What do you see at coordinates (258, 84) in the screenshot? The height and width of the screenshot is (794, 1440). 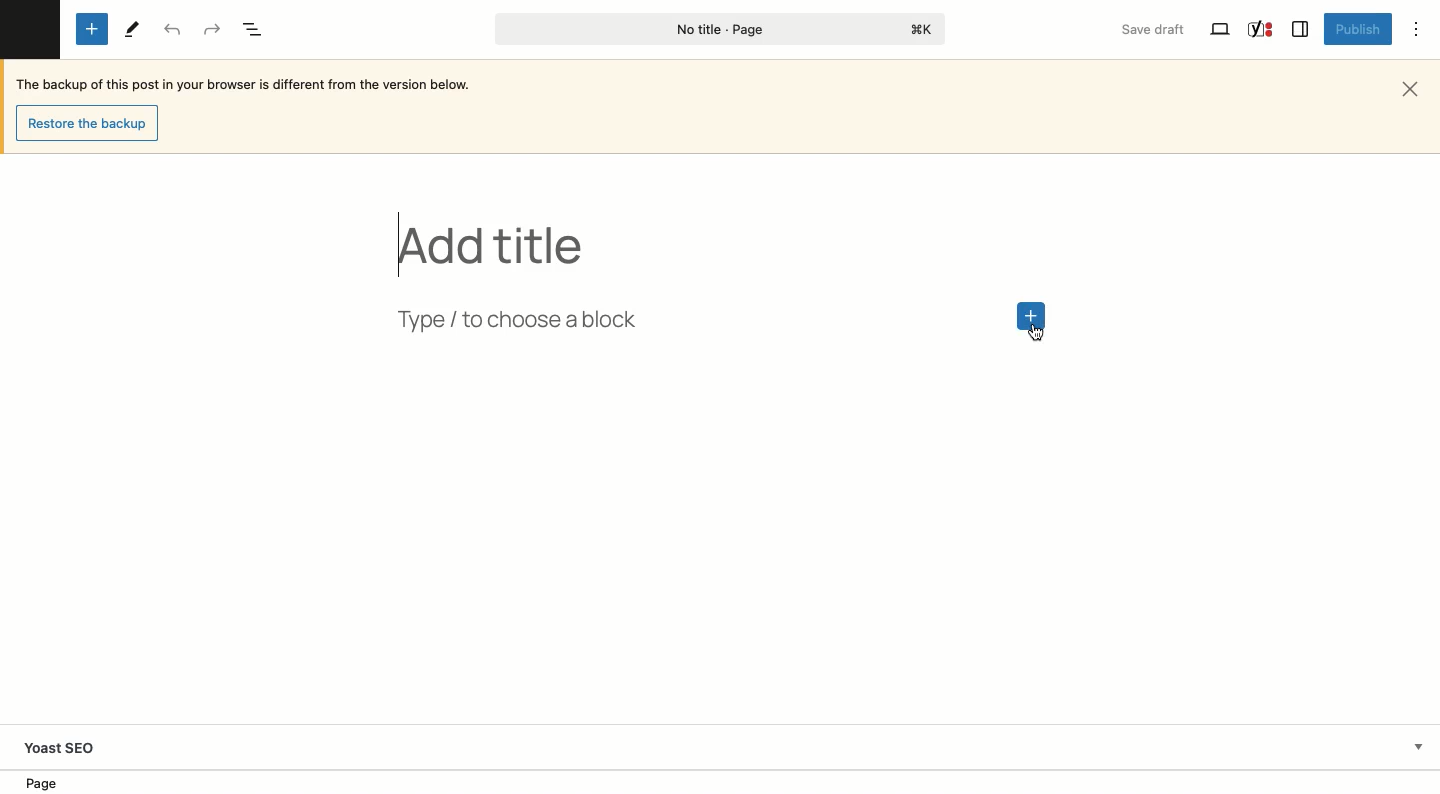 I see `he backup of this post in your browser is different from the version below.` at bounding box center [258, 84].